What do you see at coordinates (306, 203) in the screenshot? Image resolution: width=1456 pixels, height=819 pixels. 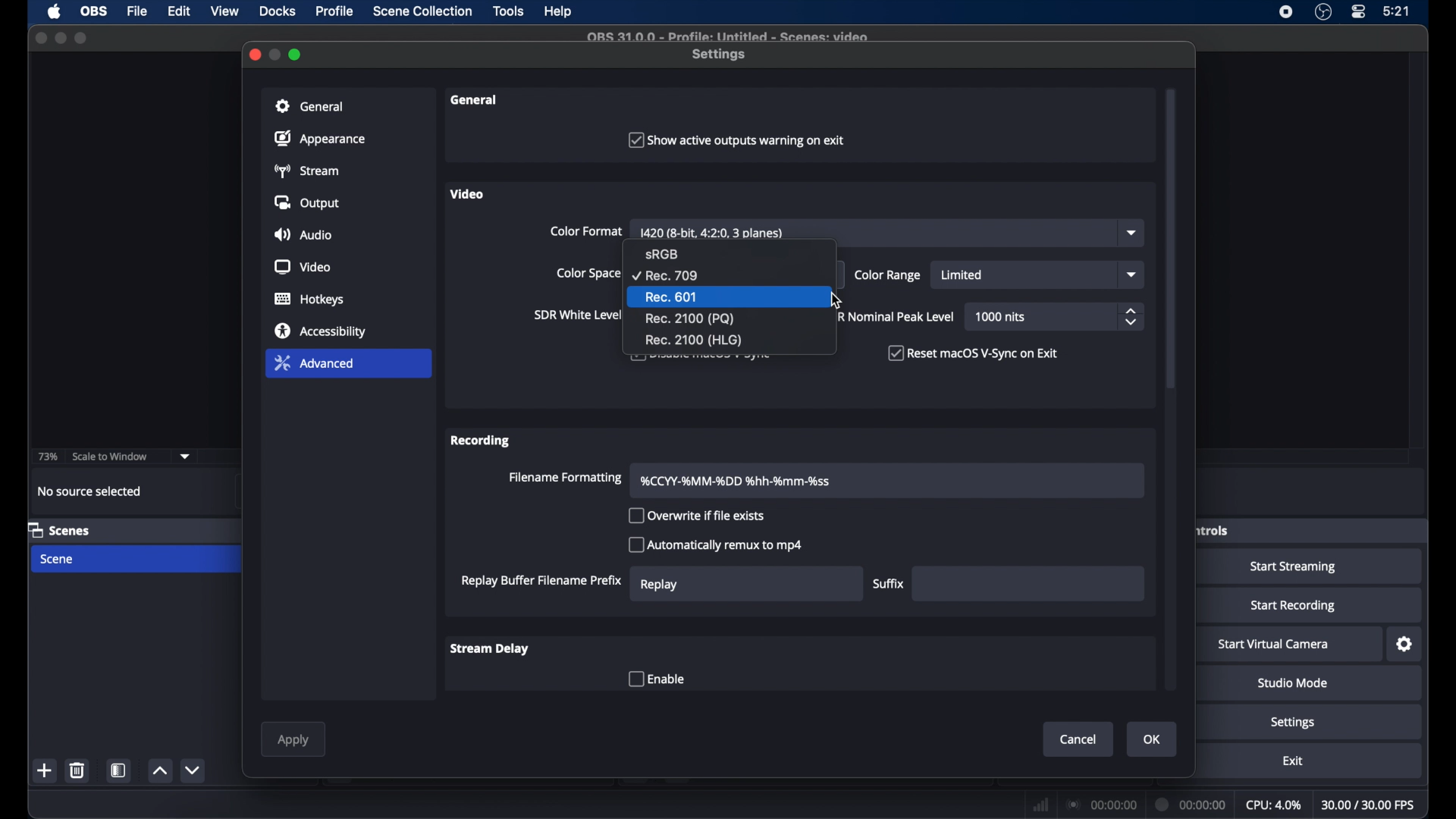 I see `output` at bounding box center [306, 203].